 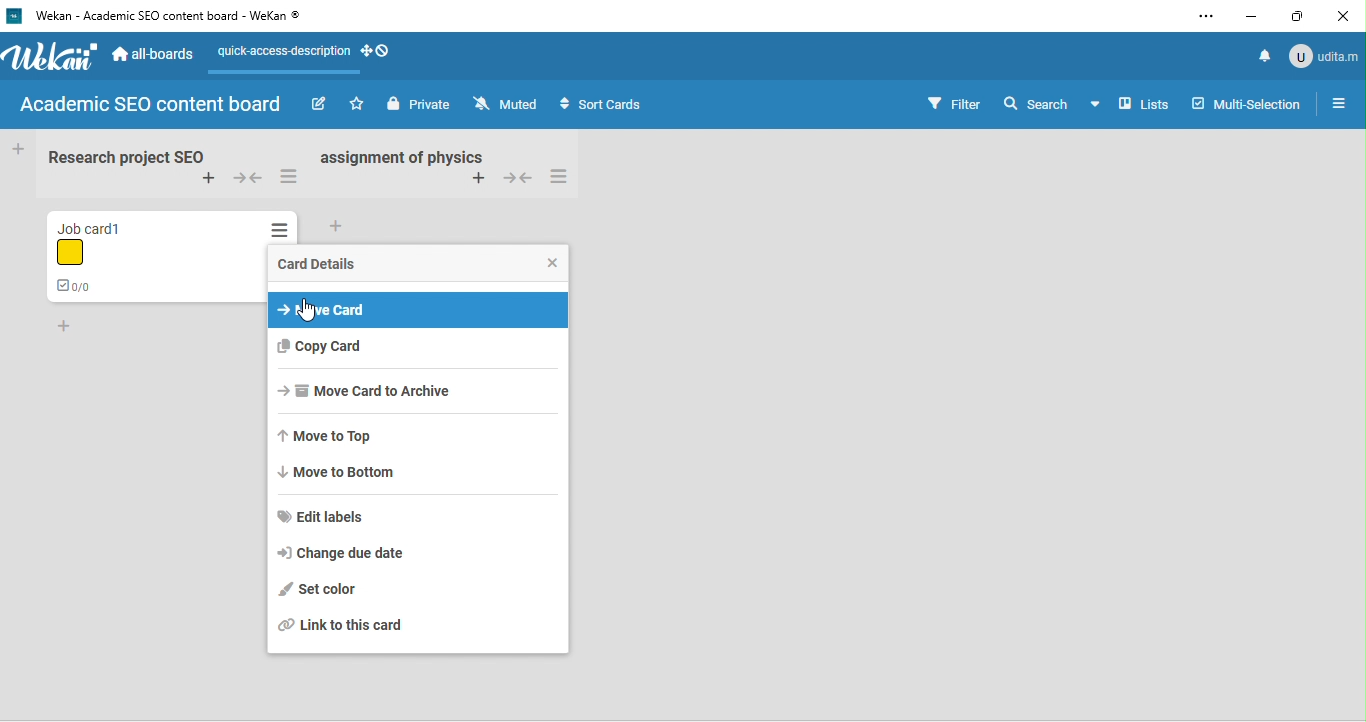 I want to click on add card, so click(x=200, y=179).